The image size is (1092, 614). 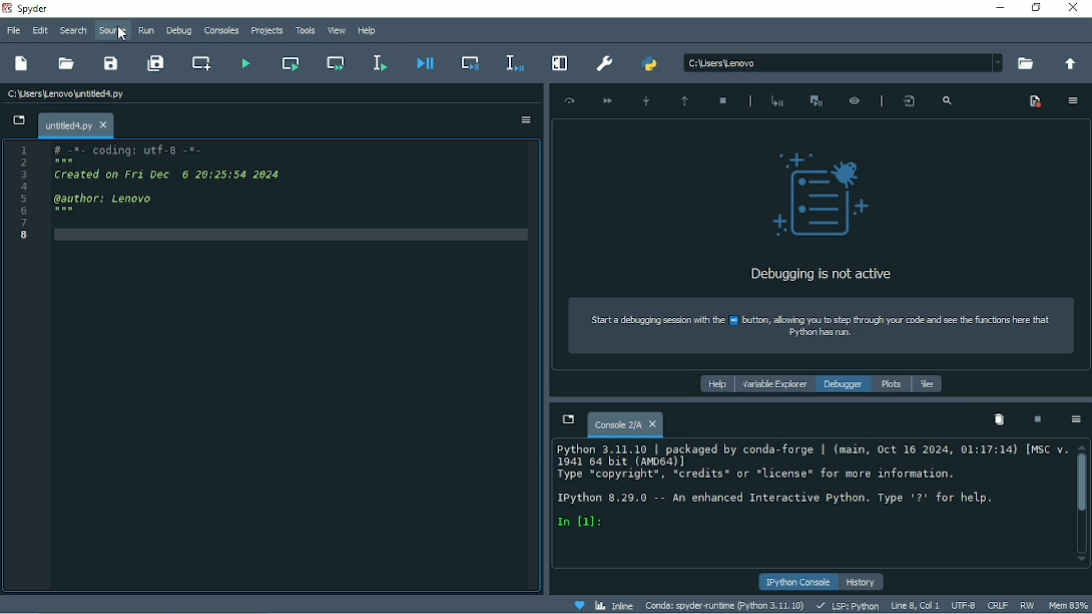 What do you see at coordinates (1002, 8) in the screenshot?
I see `Minimize` at bounding box center [1002, 8].